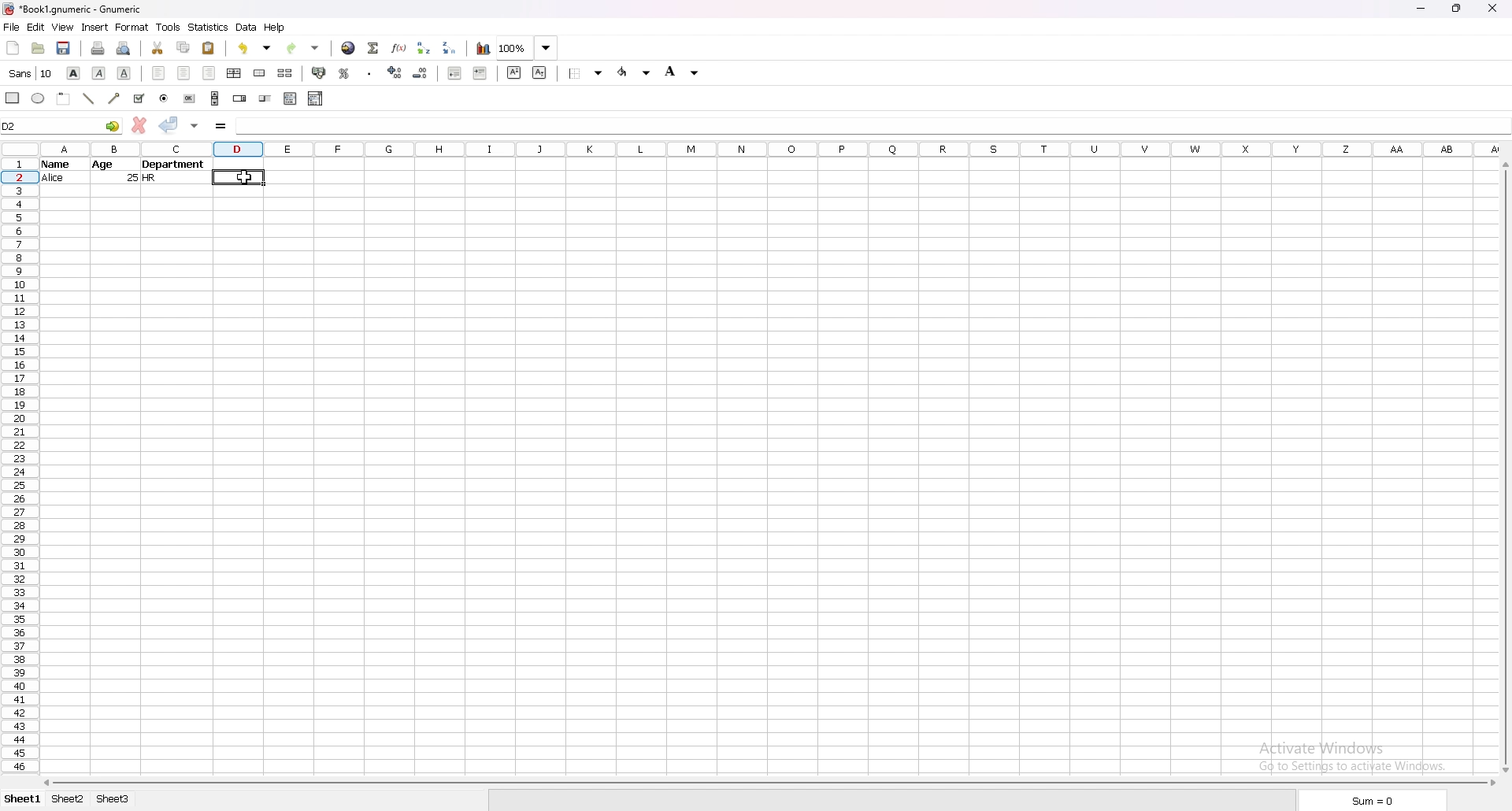 The image size is (1512, 811). What do you see at coordinates (66, 99) in the screenshot?
I see `frame` at bounding box center [66, 99].